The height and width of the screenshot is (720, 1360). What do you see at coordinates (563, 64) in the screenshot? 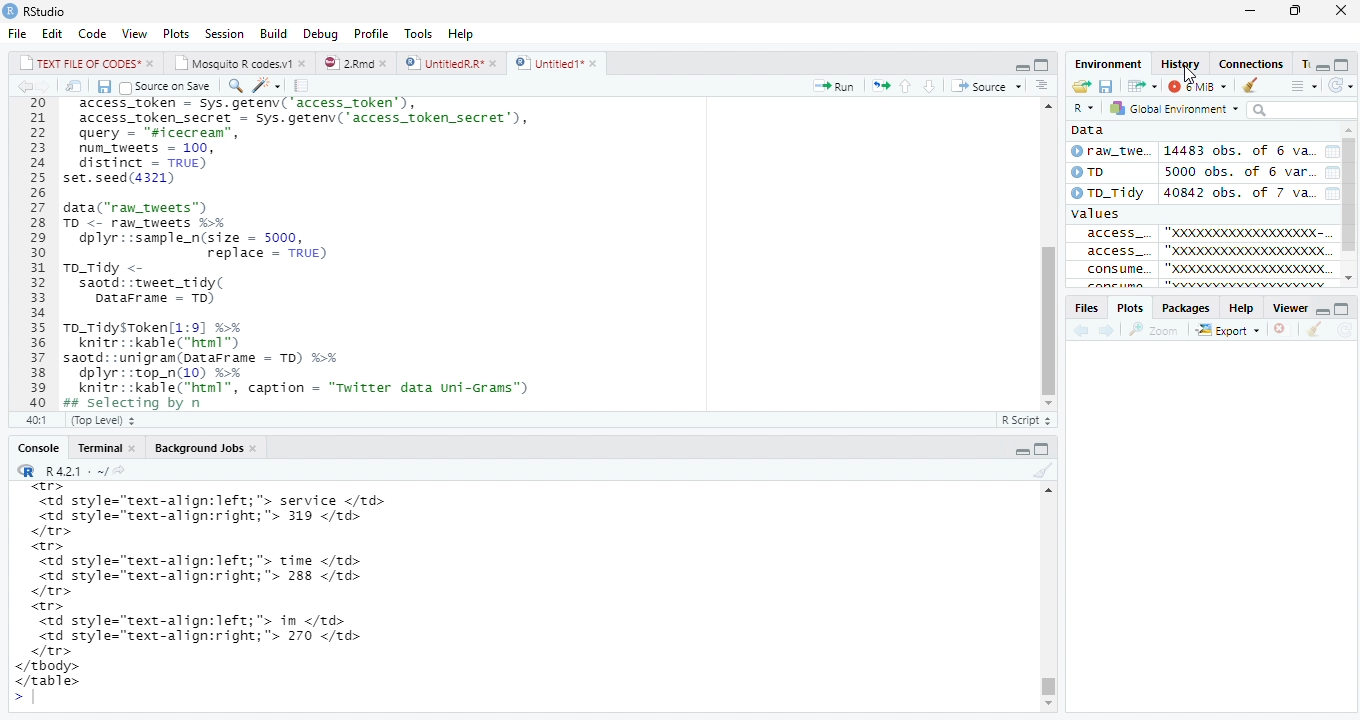
I see `©) Untitied1*` at bounding box center [563, 64].